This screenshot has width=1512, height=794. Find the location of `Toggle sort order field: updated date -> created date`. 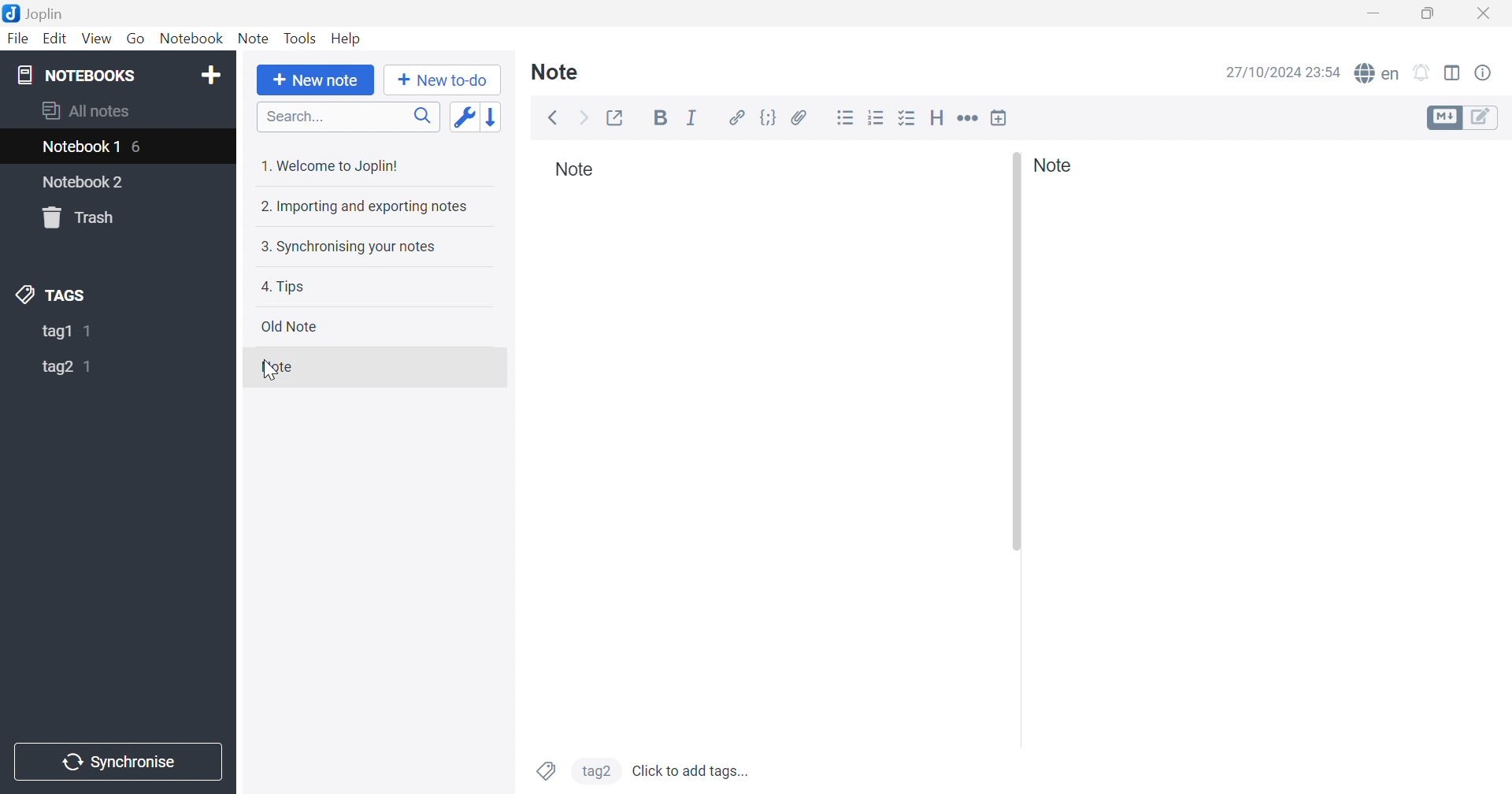

Toggle sort order field: updated date -> created date is located at coordinates (462, 119).